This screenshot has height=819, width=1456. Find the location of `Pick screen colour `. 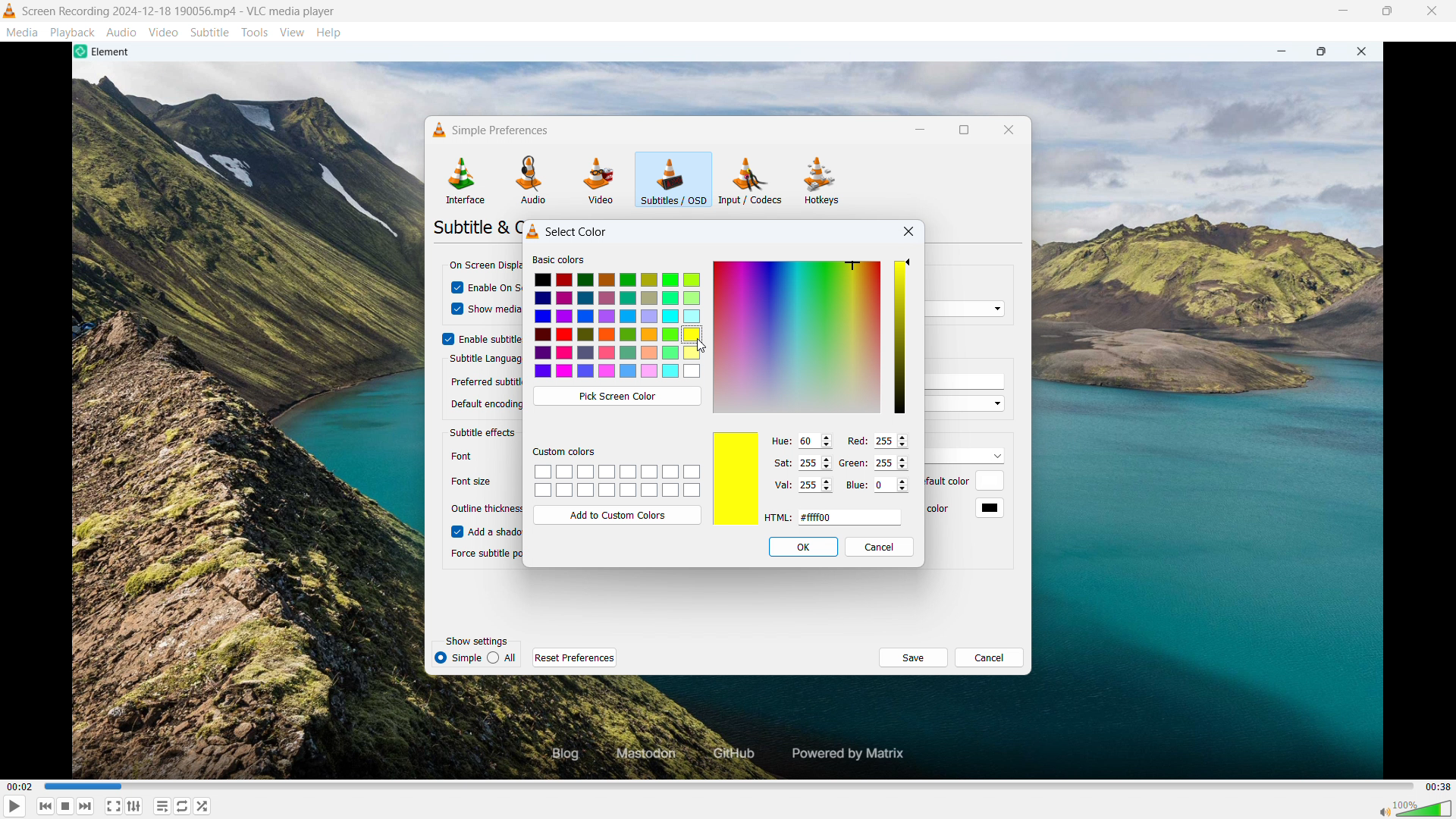

Pick screen colour  is located at coordinates (616, 396).